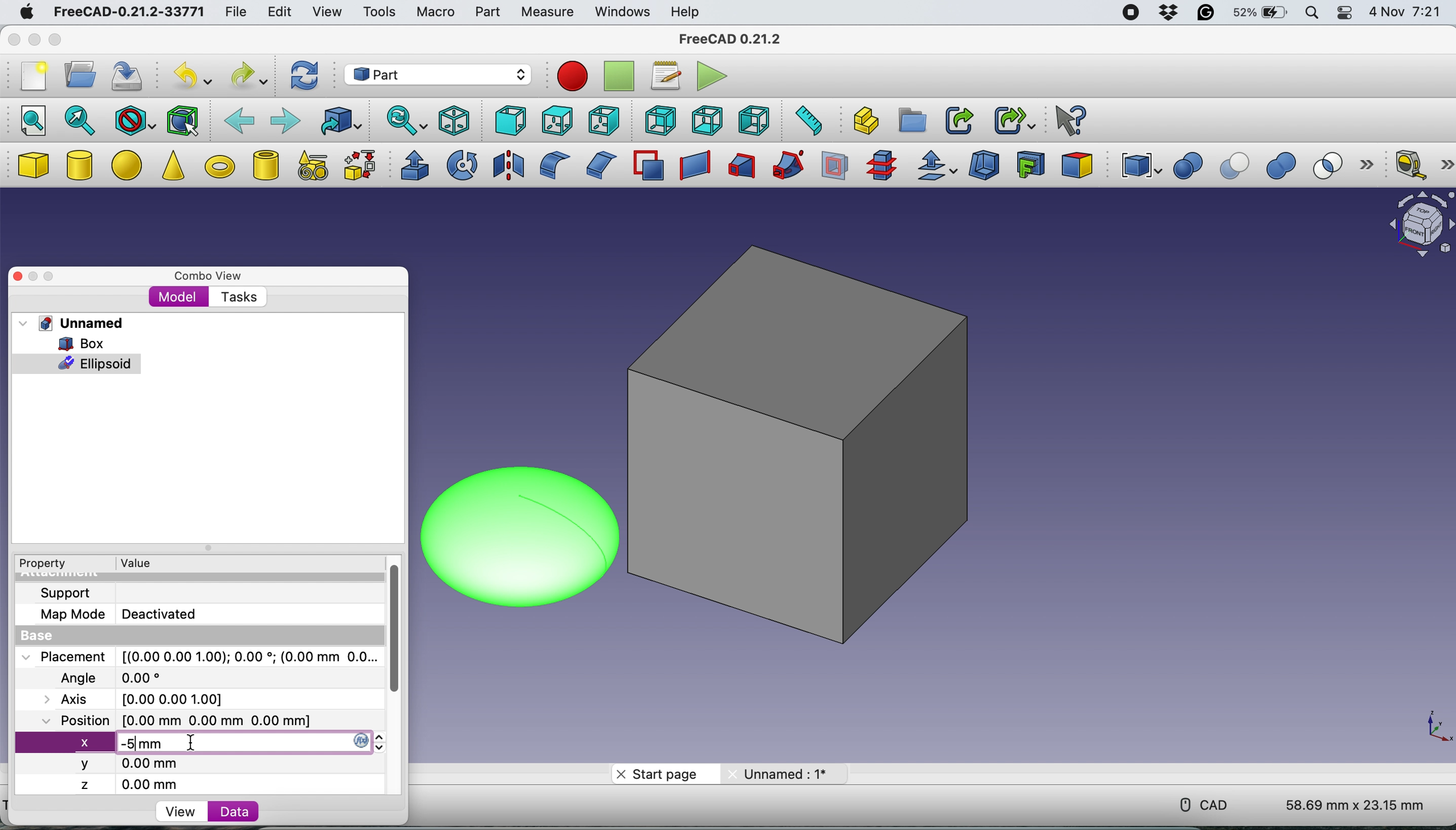 This screenshot has width=1456, height=830. Describe the element at coordinates (129, 164) in the screenshot. I see `ellipse` at that location.